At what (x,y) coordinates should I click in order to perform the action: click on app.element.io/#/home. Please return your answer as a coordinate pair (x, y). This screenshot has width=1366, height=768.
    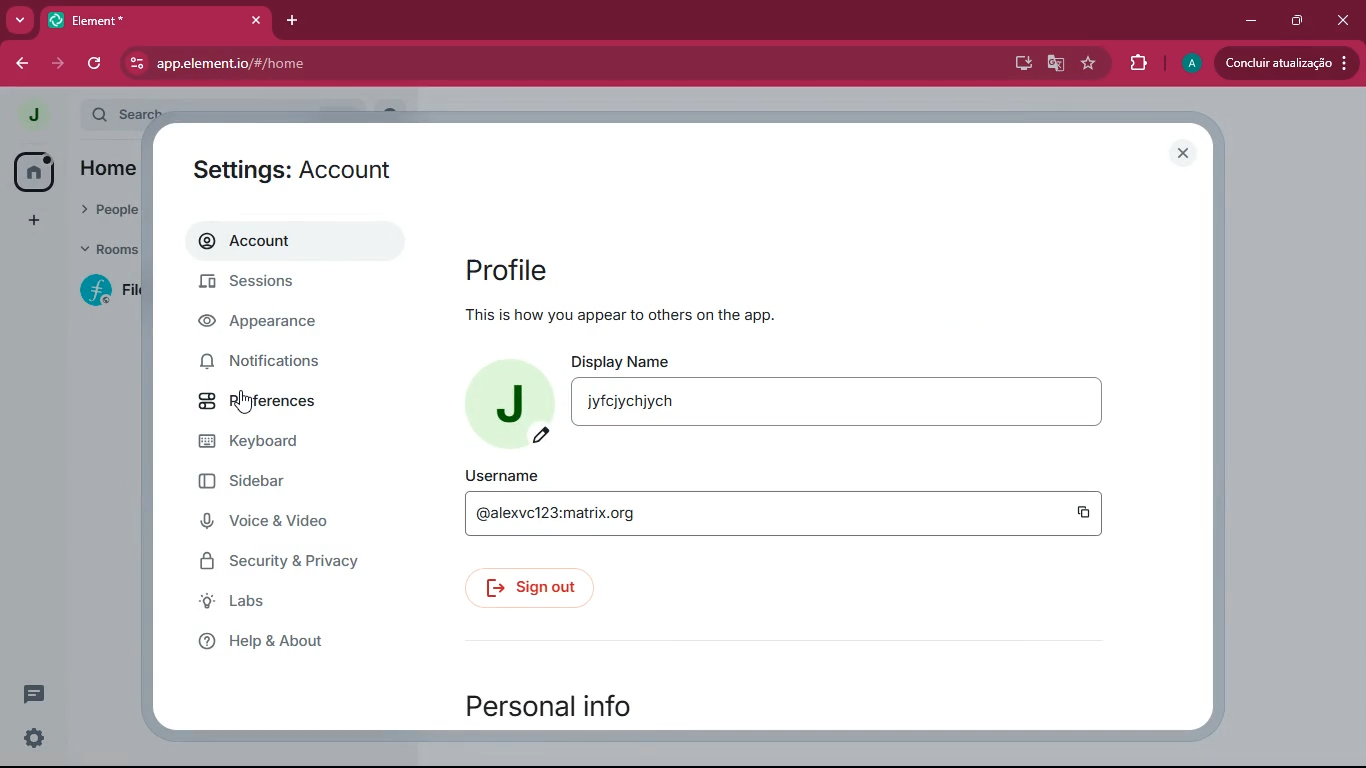
    Looking at the image, I should click on (351, 63).